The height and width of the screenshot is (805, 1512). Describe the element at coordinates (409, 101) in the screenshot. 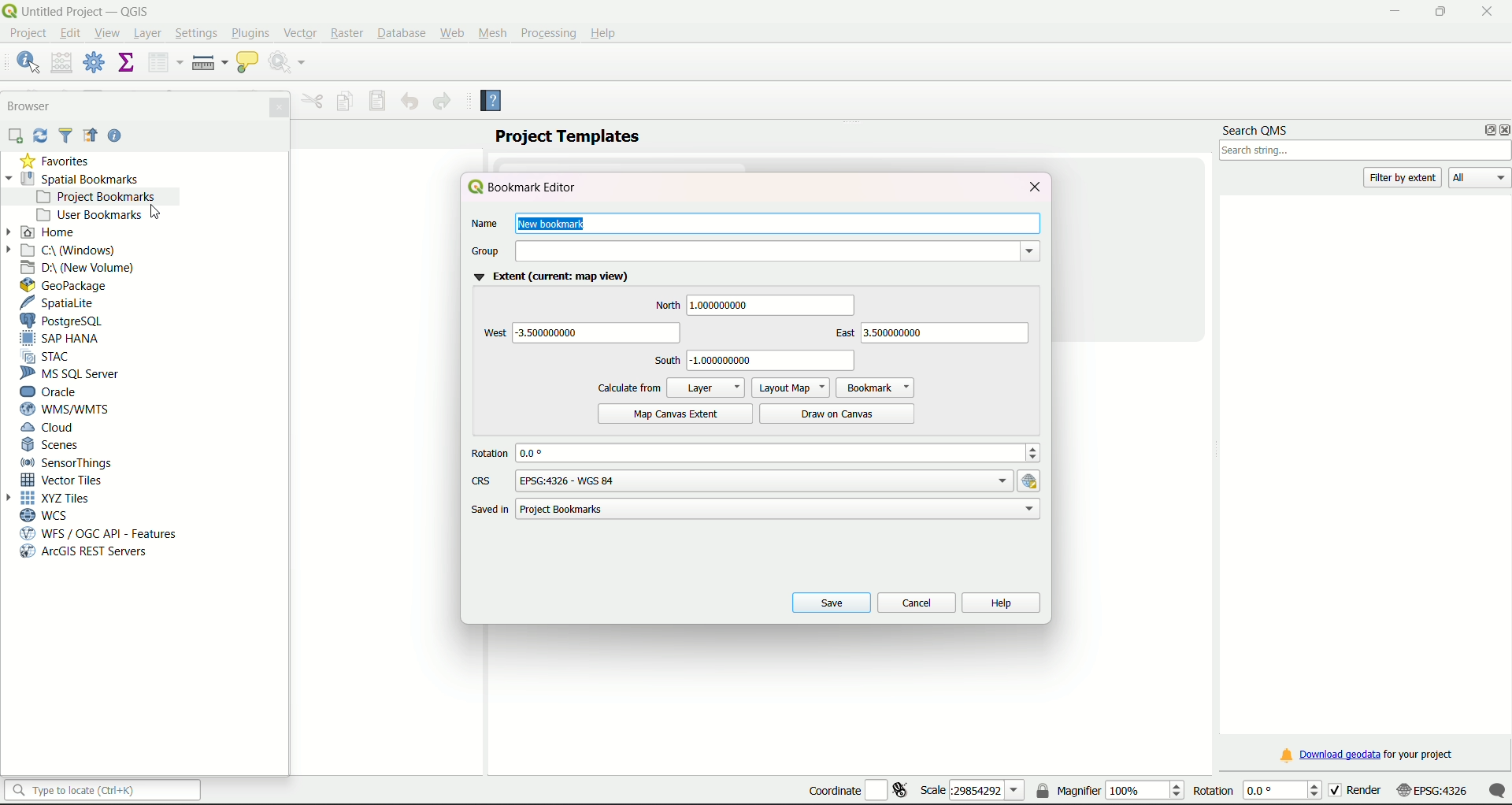

I see `Undo` at that location.